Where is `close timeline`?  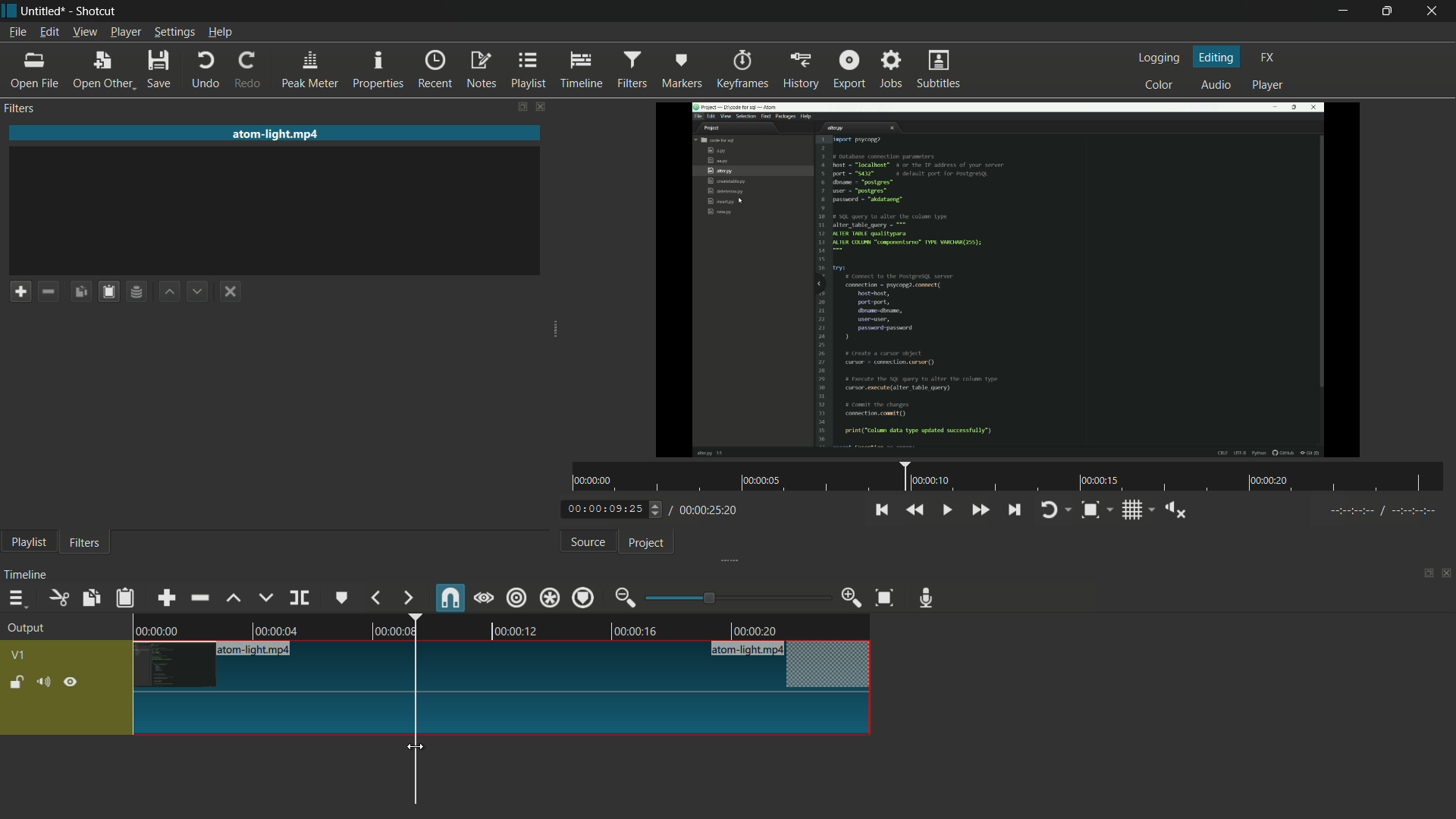 close timeline is located at coordinates (1447, 573).